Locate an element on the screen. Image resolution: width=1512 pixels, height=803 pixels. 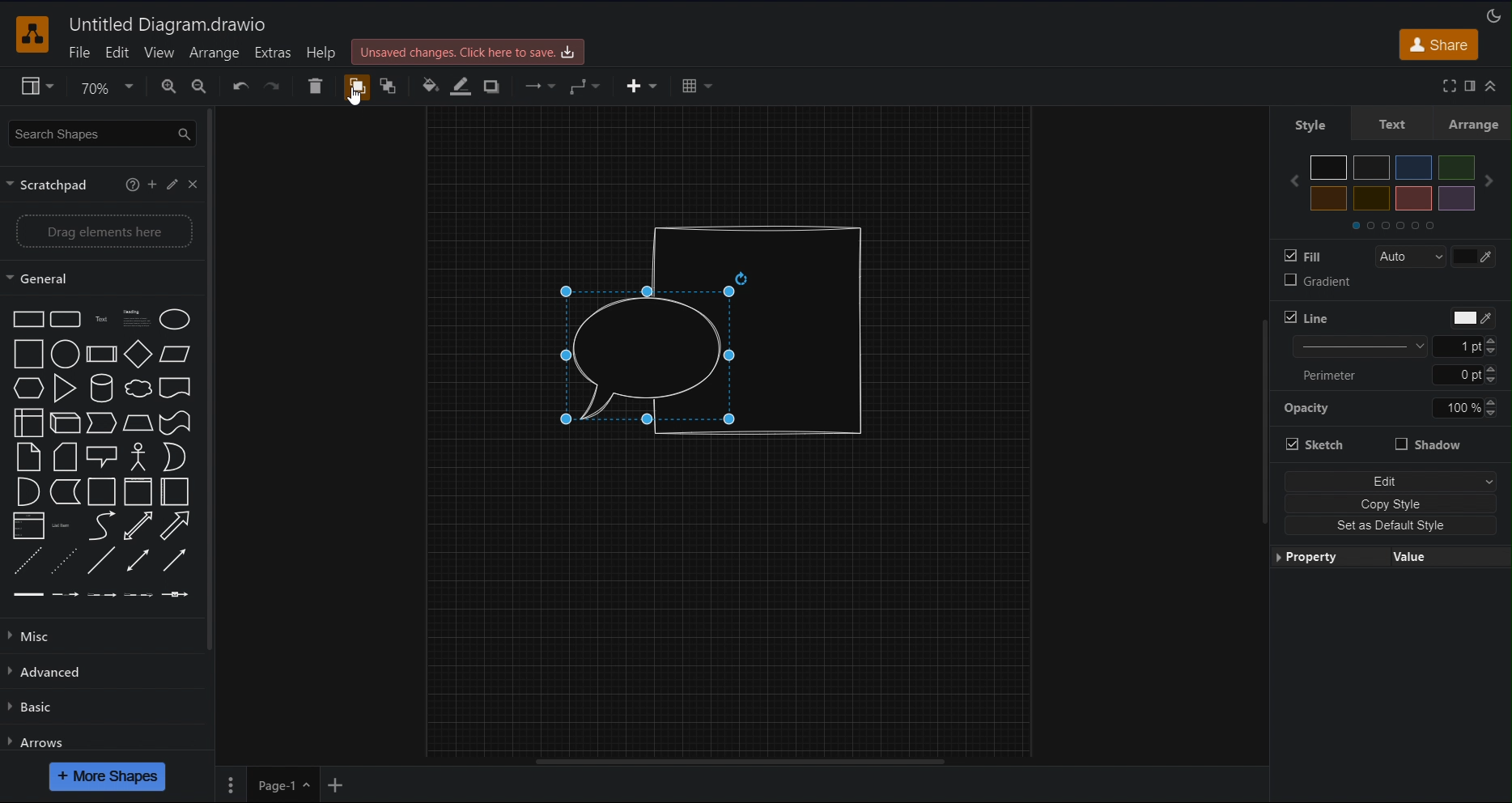
Diamond is located at coordinates (138, 354).